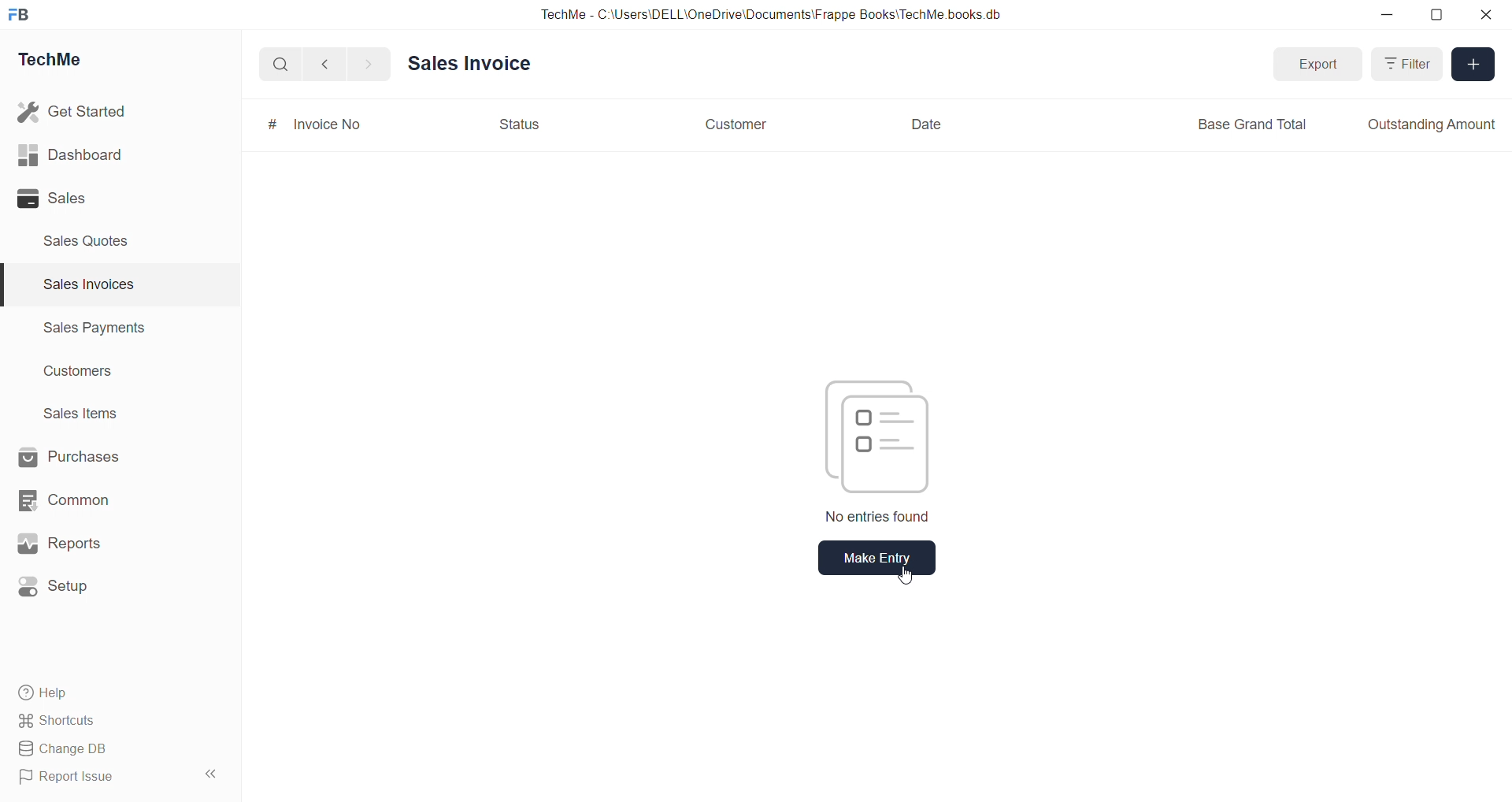 The width and height of the screenshot is (1512, 802). Describe the element at coordinates (925, 123) in the screenshot. I see `Date` at that location.